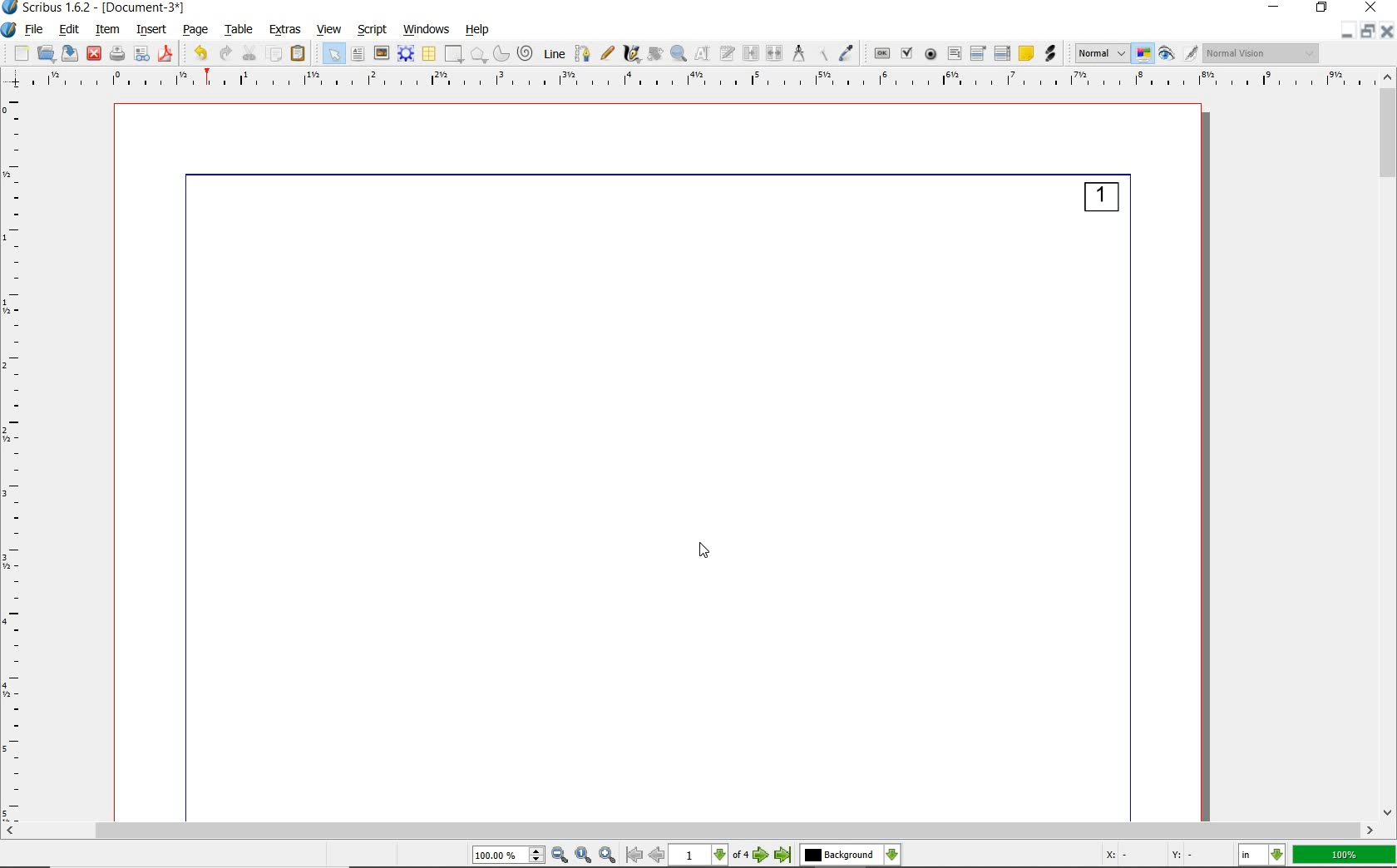  I want to click on select image preview mode: Normal, so click(1100, 52).